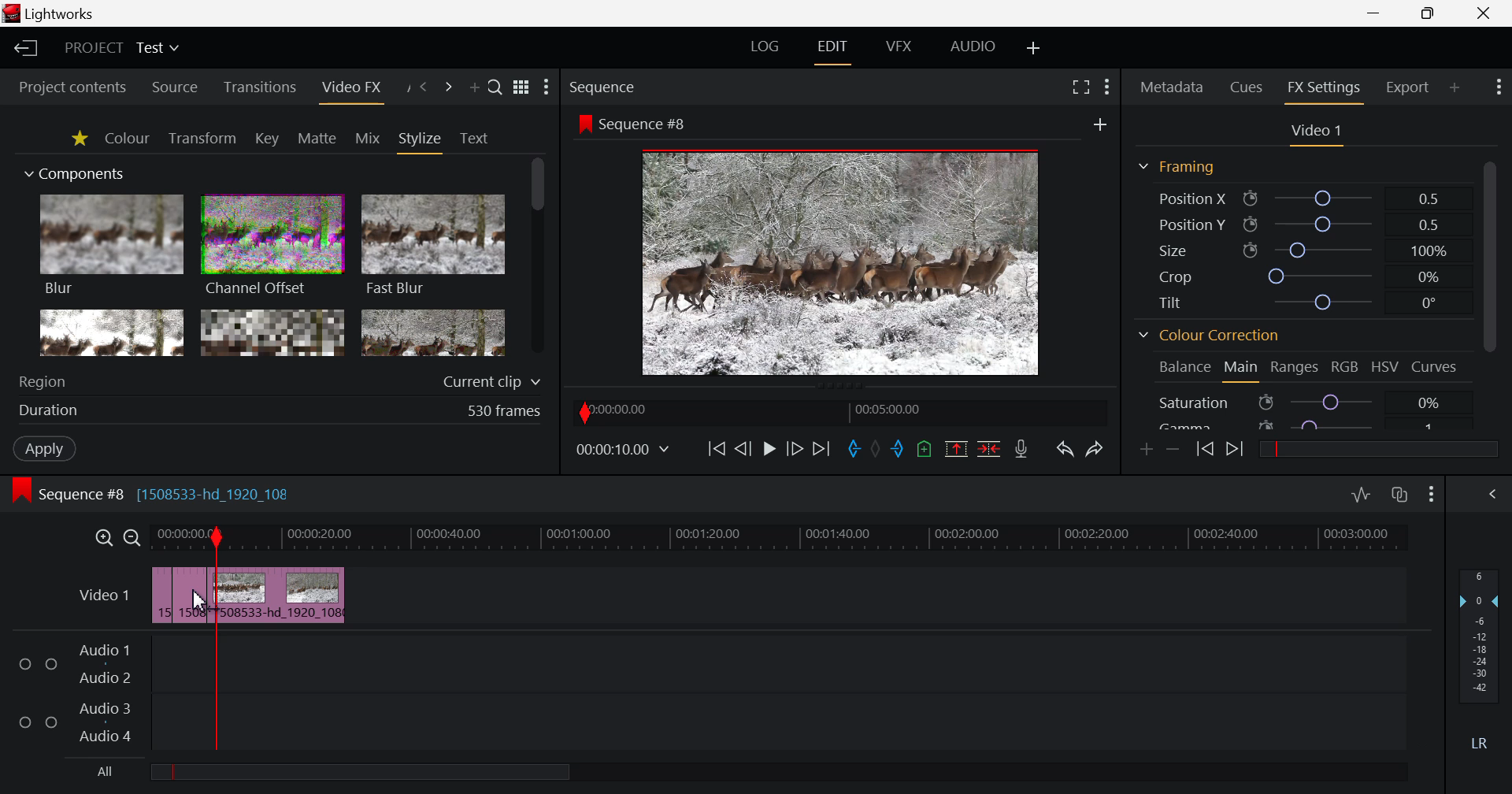 Image resolution: width=1512 pixels, height=794 pixels. I want to click on cursor, so click(200, 600).